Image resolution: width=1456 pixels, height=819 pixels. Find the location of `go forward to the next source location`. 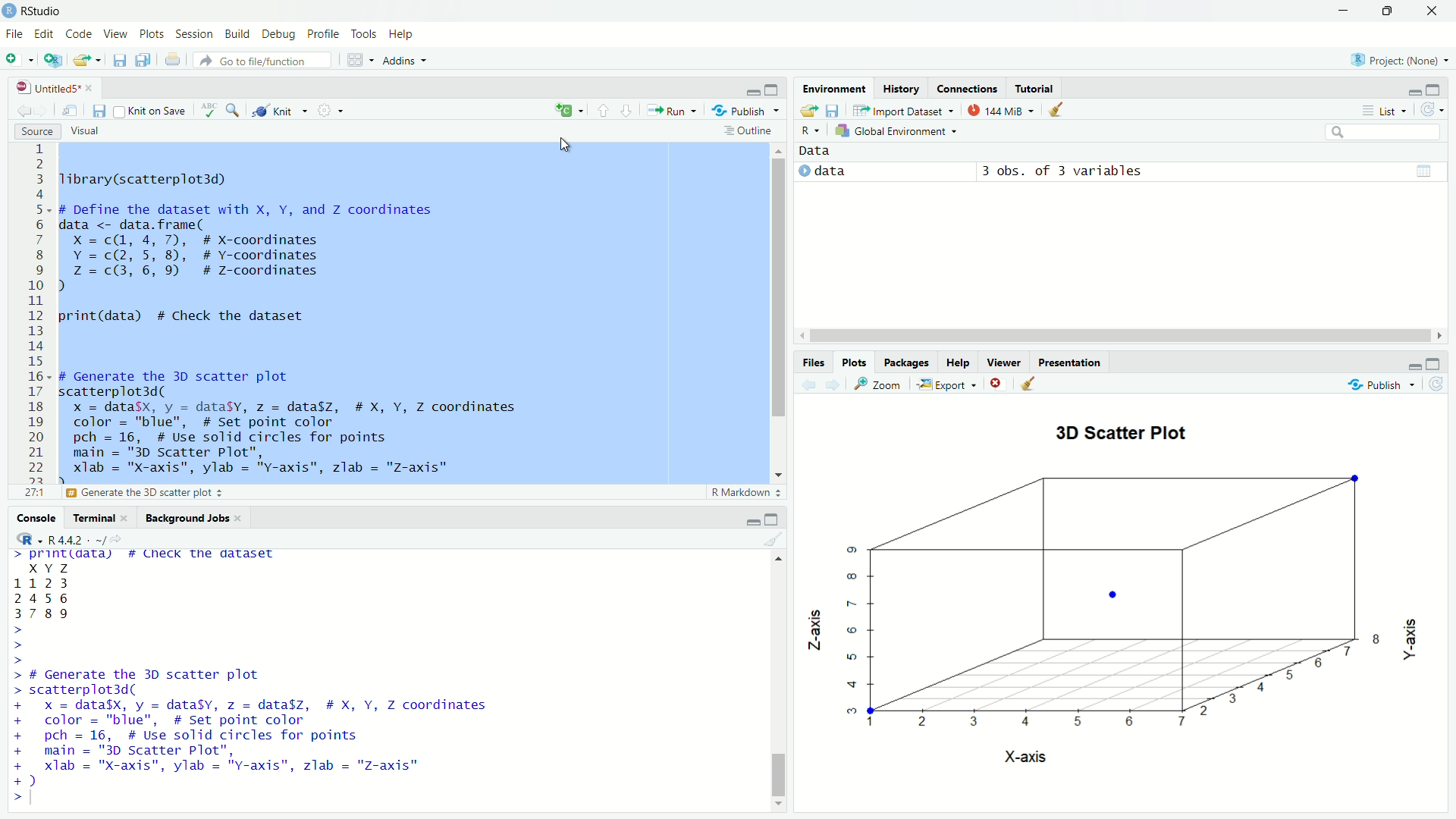

go forward to the next source location is located at coordinates (44, 111).